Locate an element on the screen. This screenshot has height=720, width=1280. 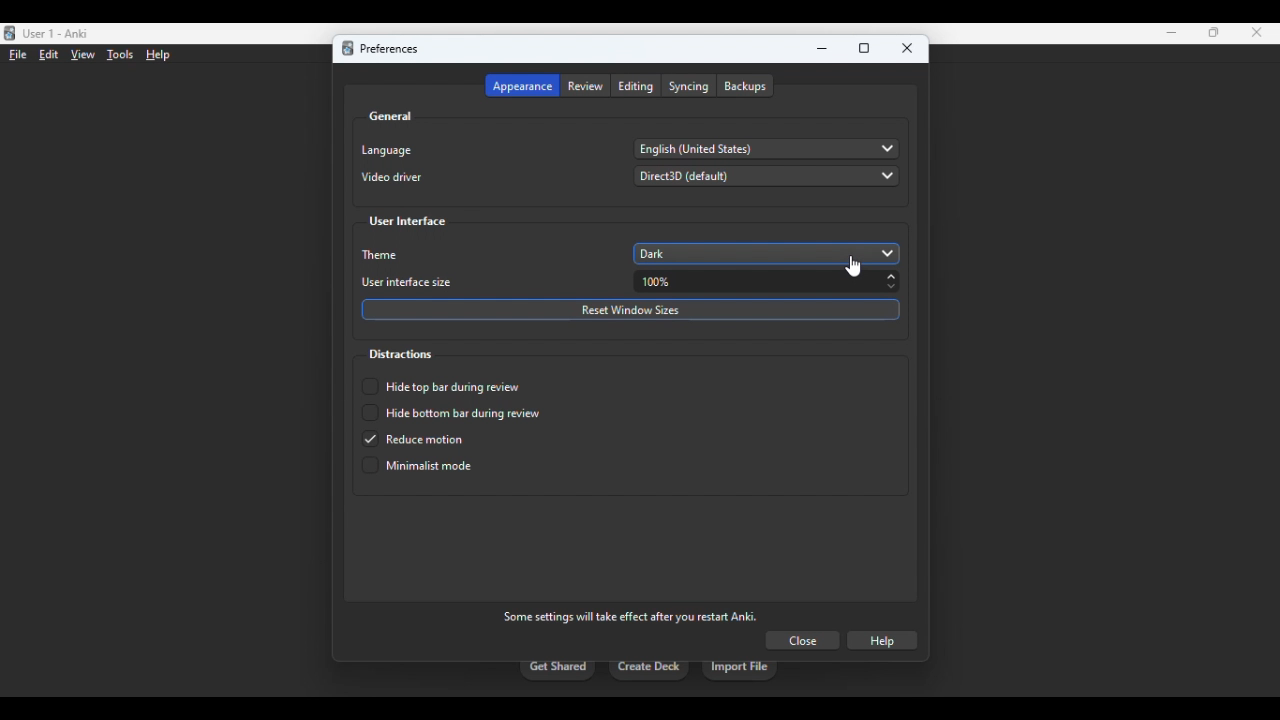
maximize is located at coordinates (864, 49).